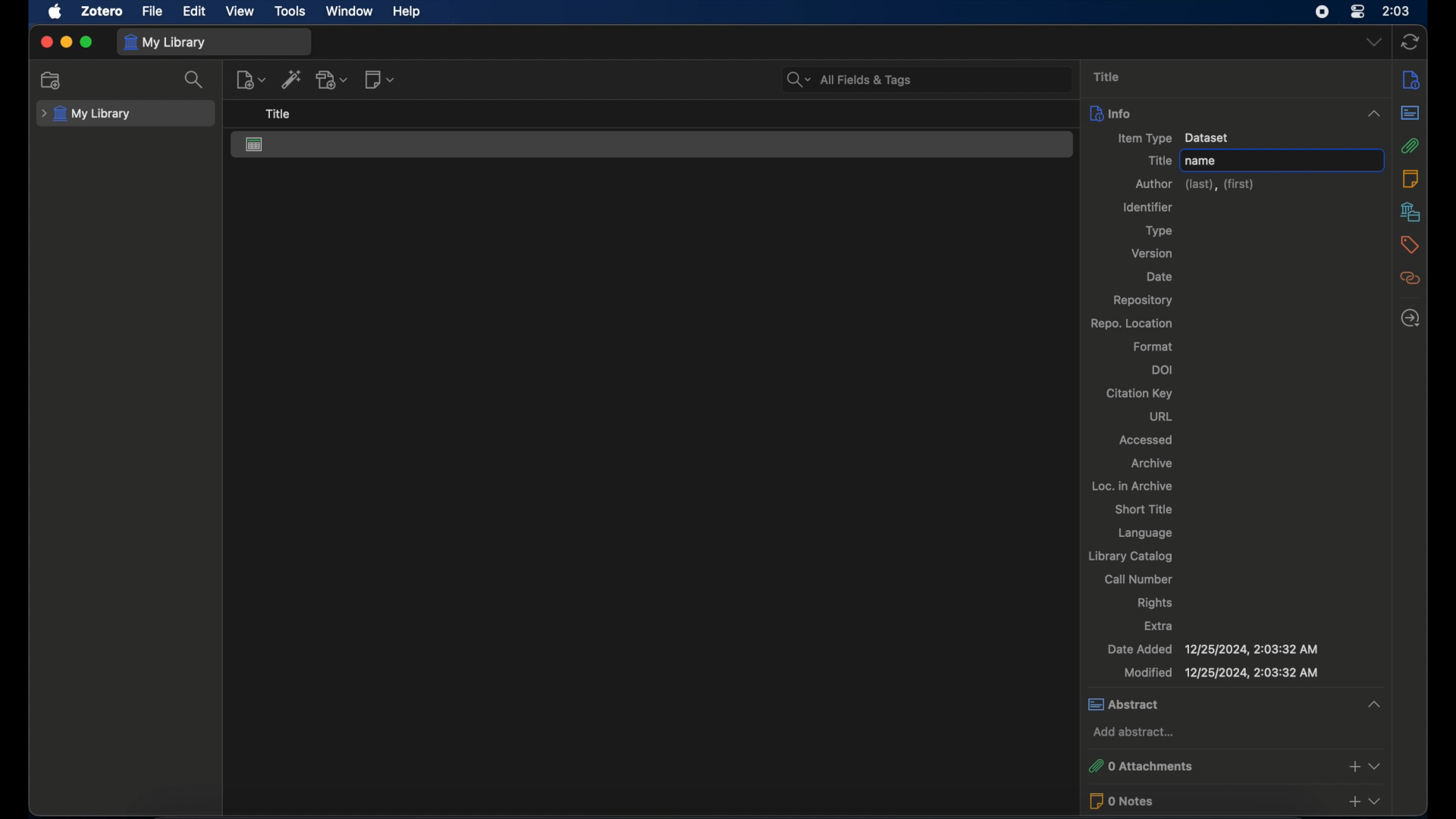 The width and height of the screenshot is (1456, 819). I want to click on version, so click(1152, 253).